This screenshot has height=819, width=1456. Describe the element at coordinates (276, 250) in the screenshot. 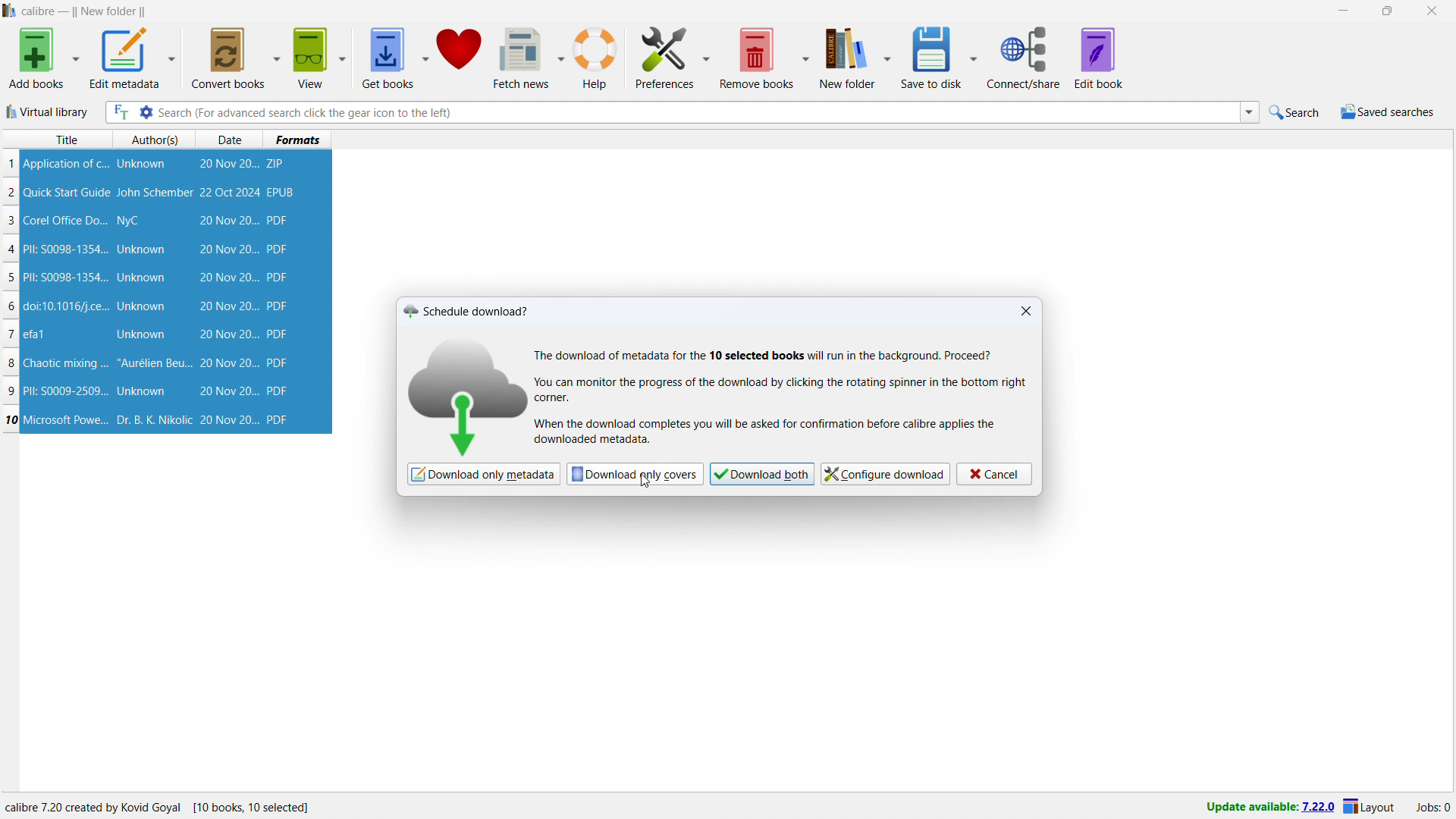

I see `PDF` at that location.